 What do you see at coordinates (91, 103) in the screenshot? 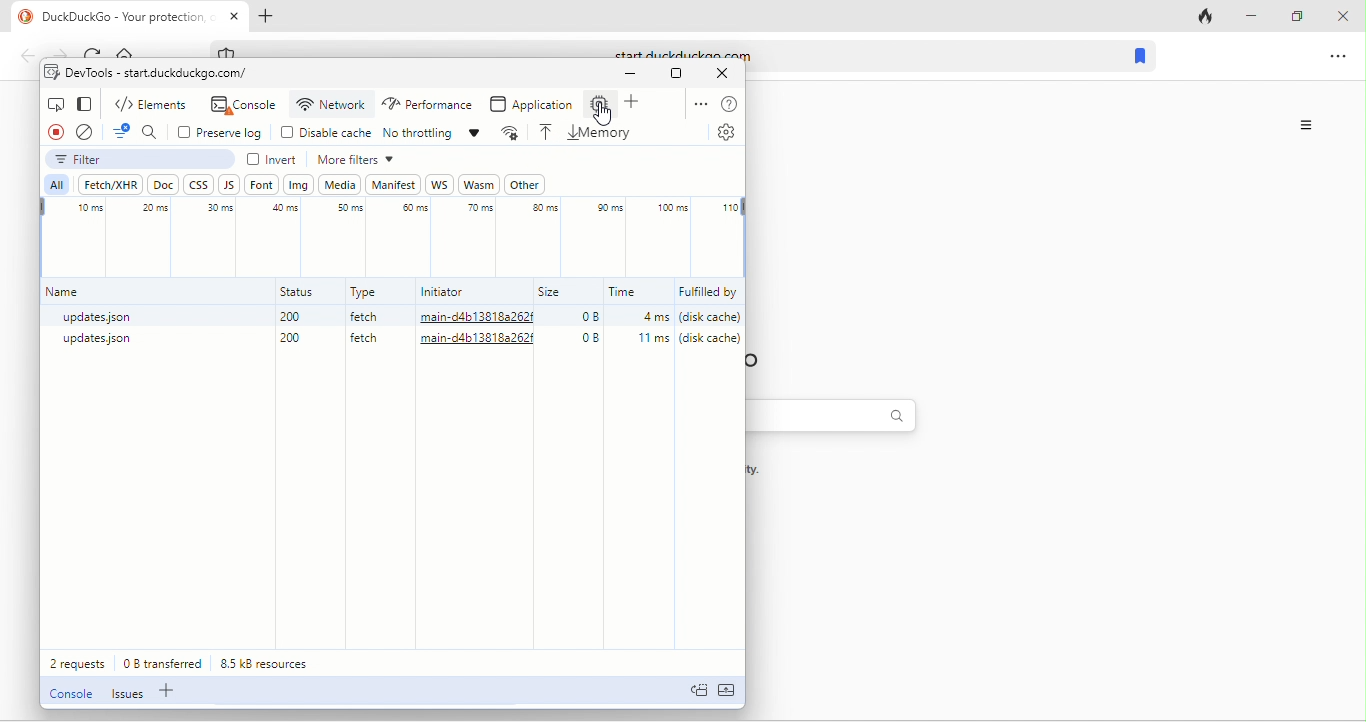
I see `change view` at bounding box center [91, 103].